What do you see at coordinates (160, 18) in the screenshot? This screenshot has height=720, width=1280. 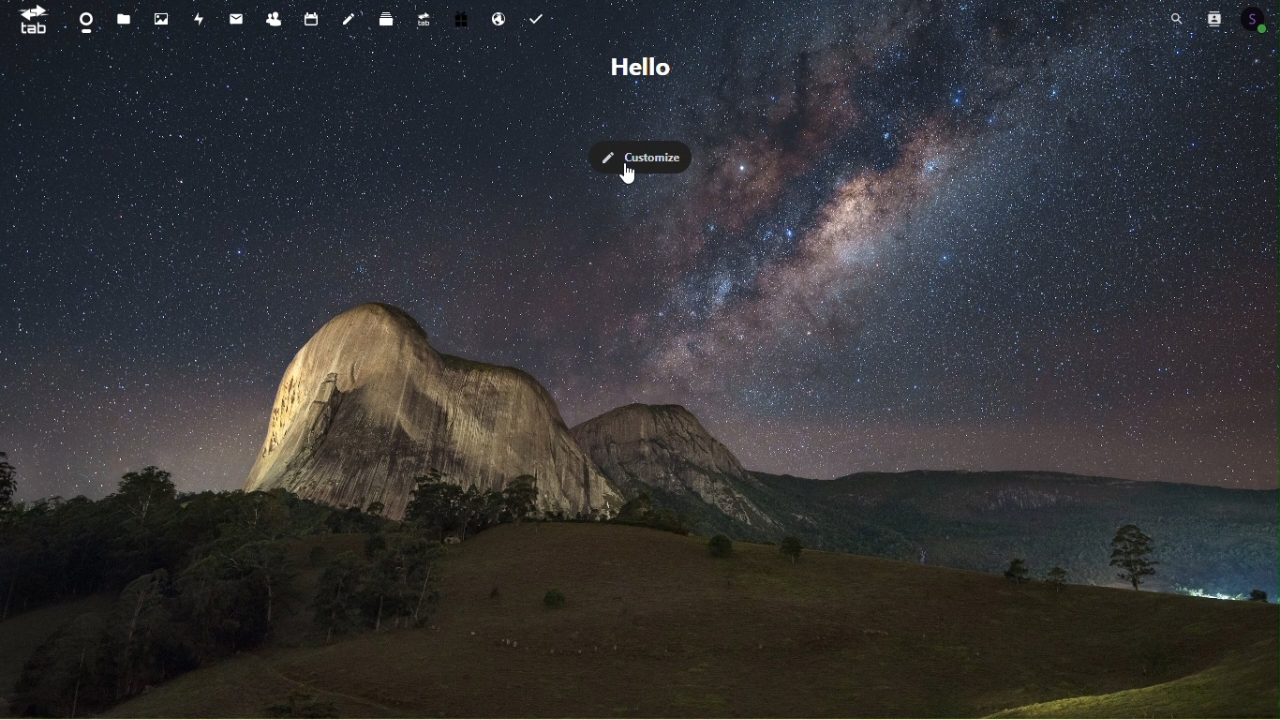 I see `Photos` at bounding box center [160, 18].